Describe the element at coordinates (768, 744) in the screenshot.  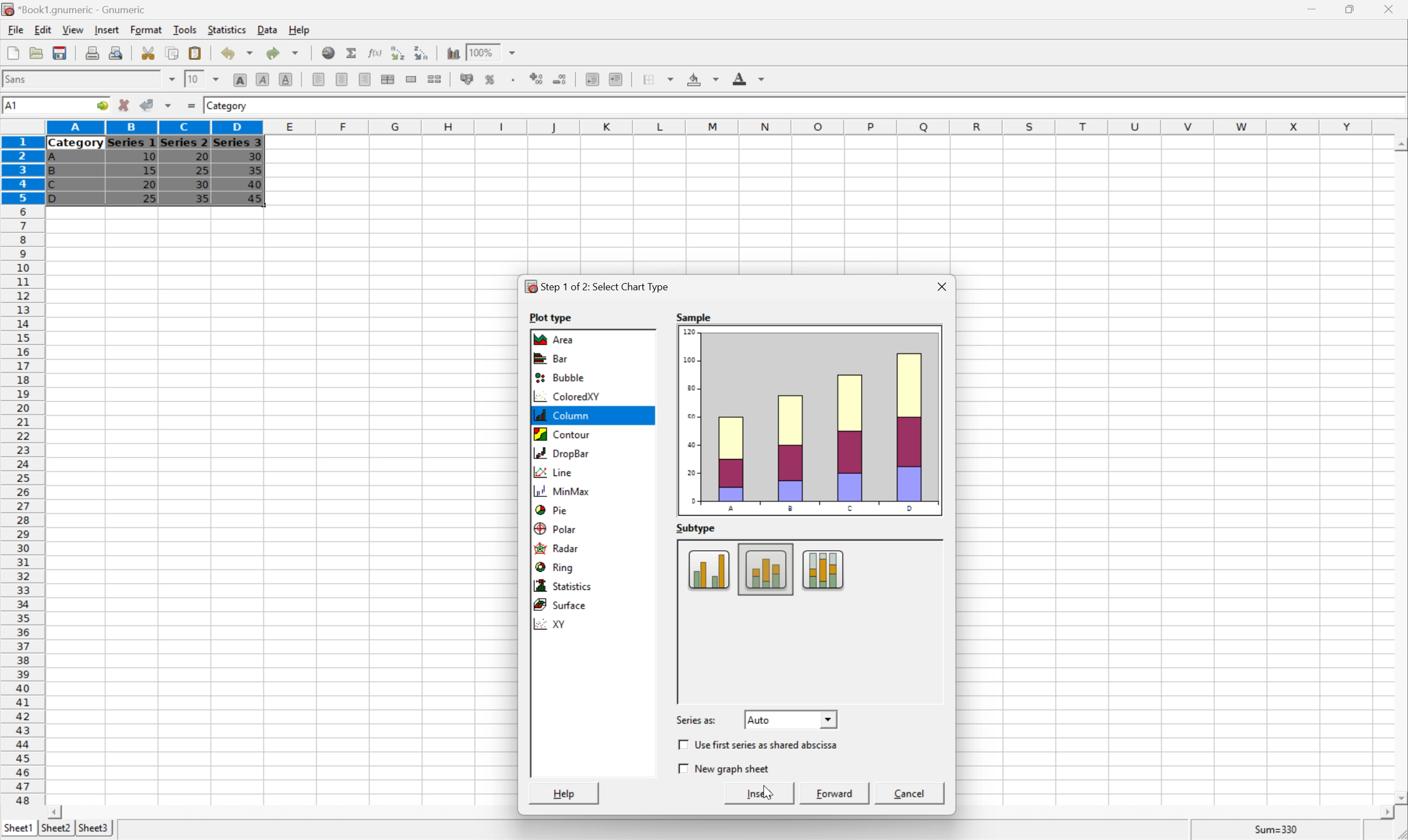
I see `Use first series as shared abscissa` at that location.